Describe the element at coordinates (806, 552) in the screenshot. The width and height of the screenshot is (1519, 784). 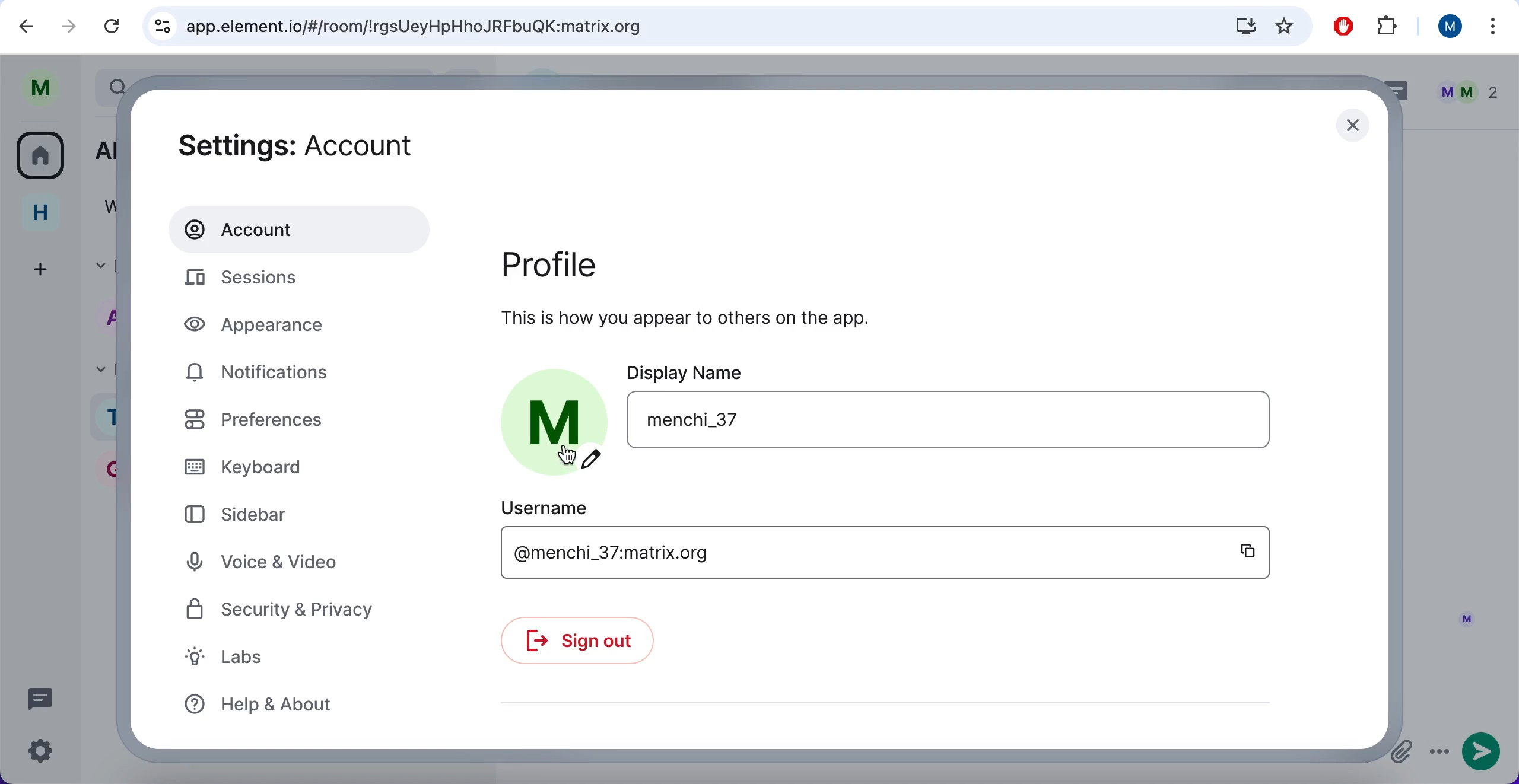
I see `username` at that location.